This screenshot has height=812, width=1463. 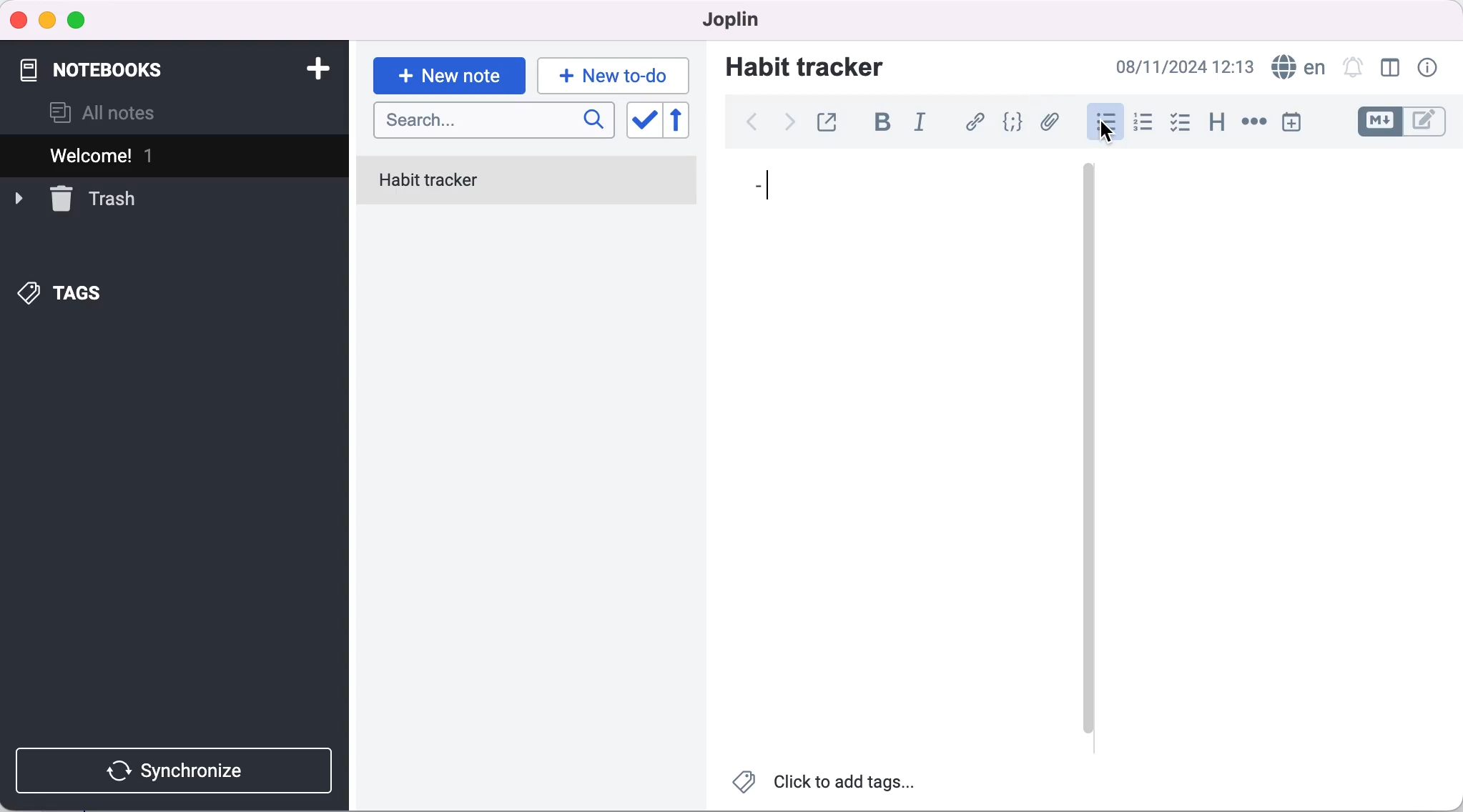 I want to click on new note, so click(x=448, y=76).